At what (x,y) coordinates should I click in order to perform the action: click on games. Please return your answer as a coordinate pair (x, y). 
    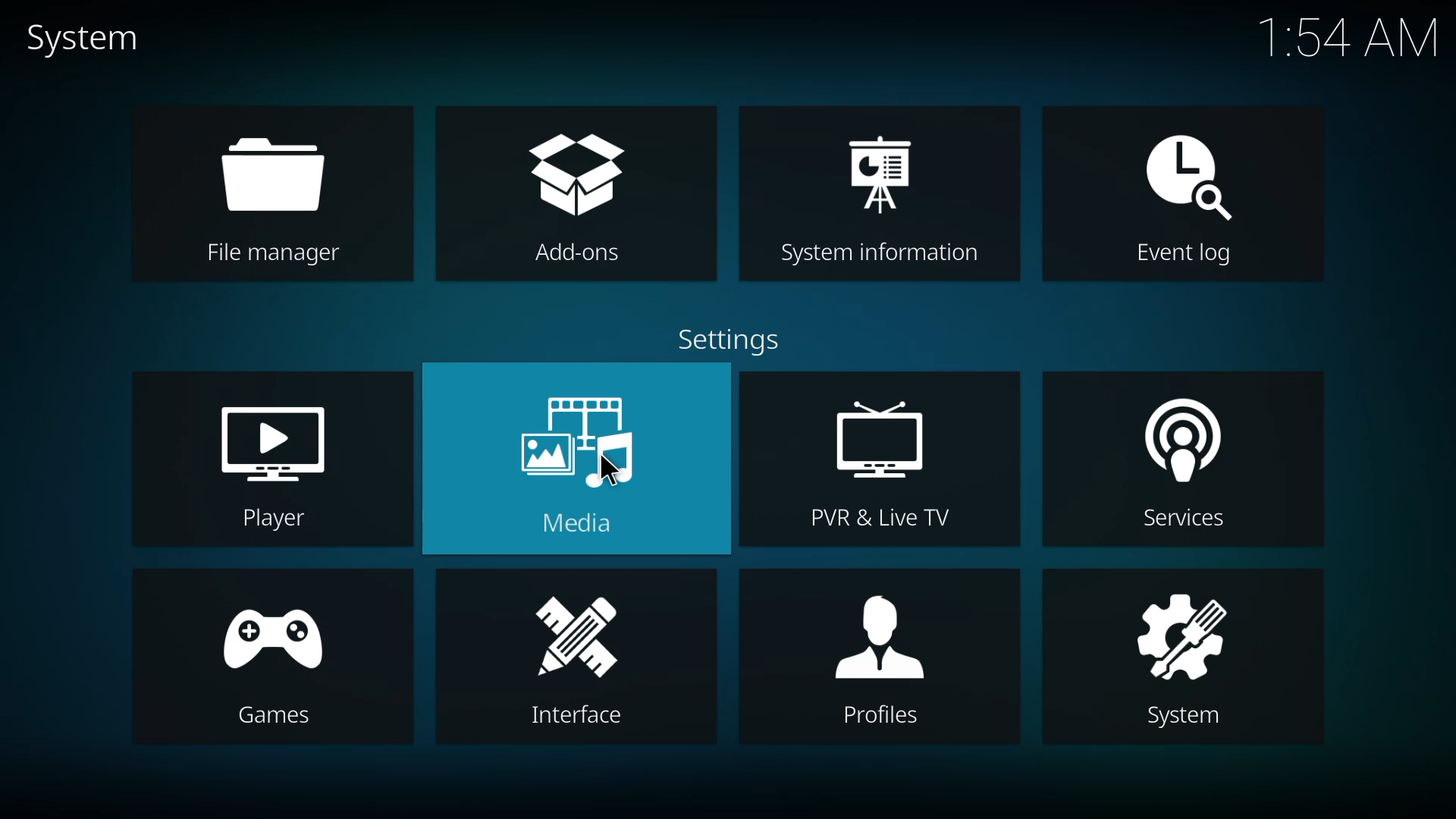
    Looking at the image, I should click on (273, 656).